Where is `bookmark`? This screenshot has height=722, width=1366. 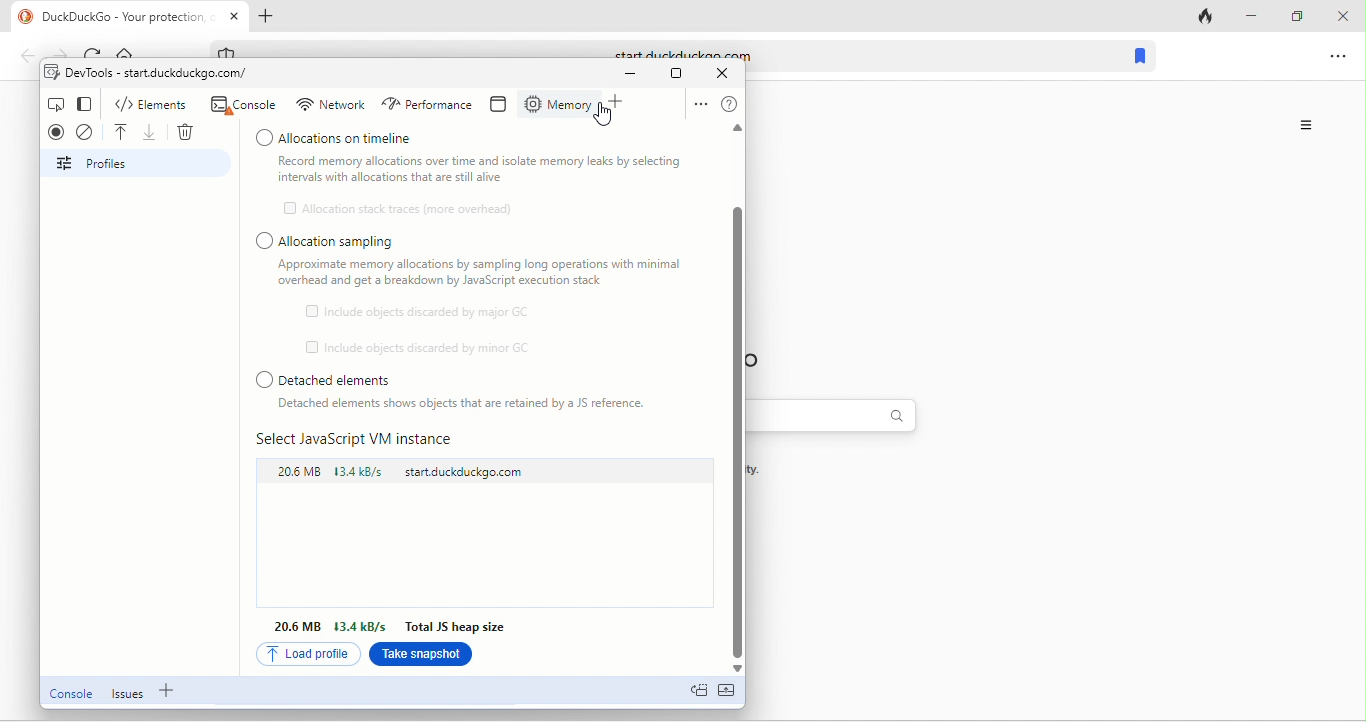 bookmark is located at coordinates (1140, 57).